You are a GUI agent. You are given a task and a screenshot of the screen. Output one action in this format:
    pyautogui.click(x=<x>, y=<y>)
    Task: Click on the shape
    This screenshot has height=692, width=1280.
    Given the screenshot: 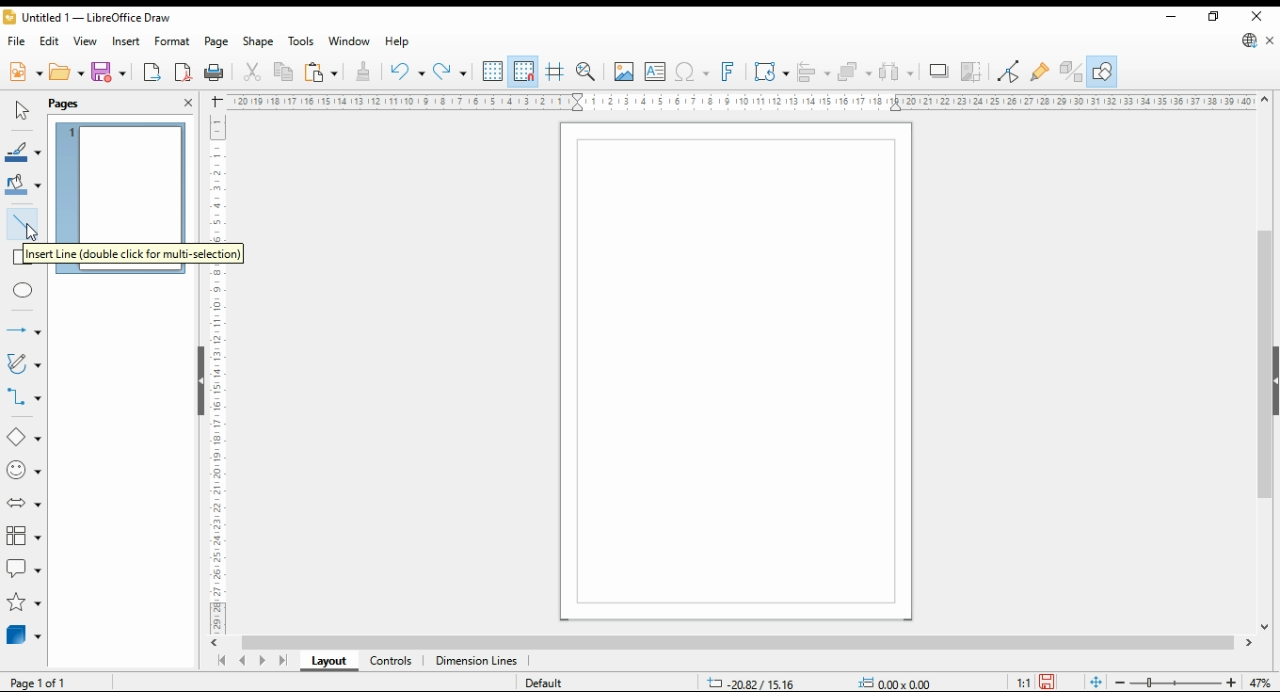 What is the action you would take?
    pyautogui.click(x=259, y=43)
    